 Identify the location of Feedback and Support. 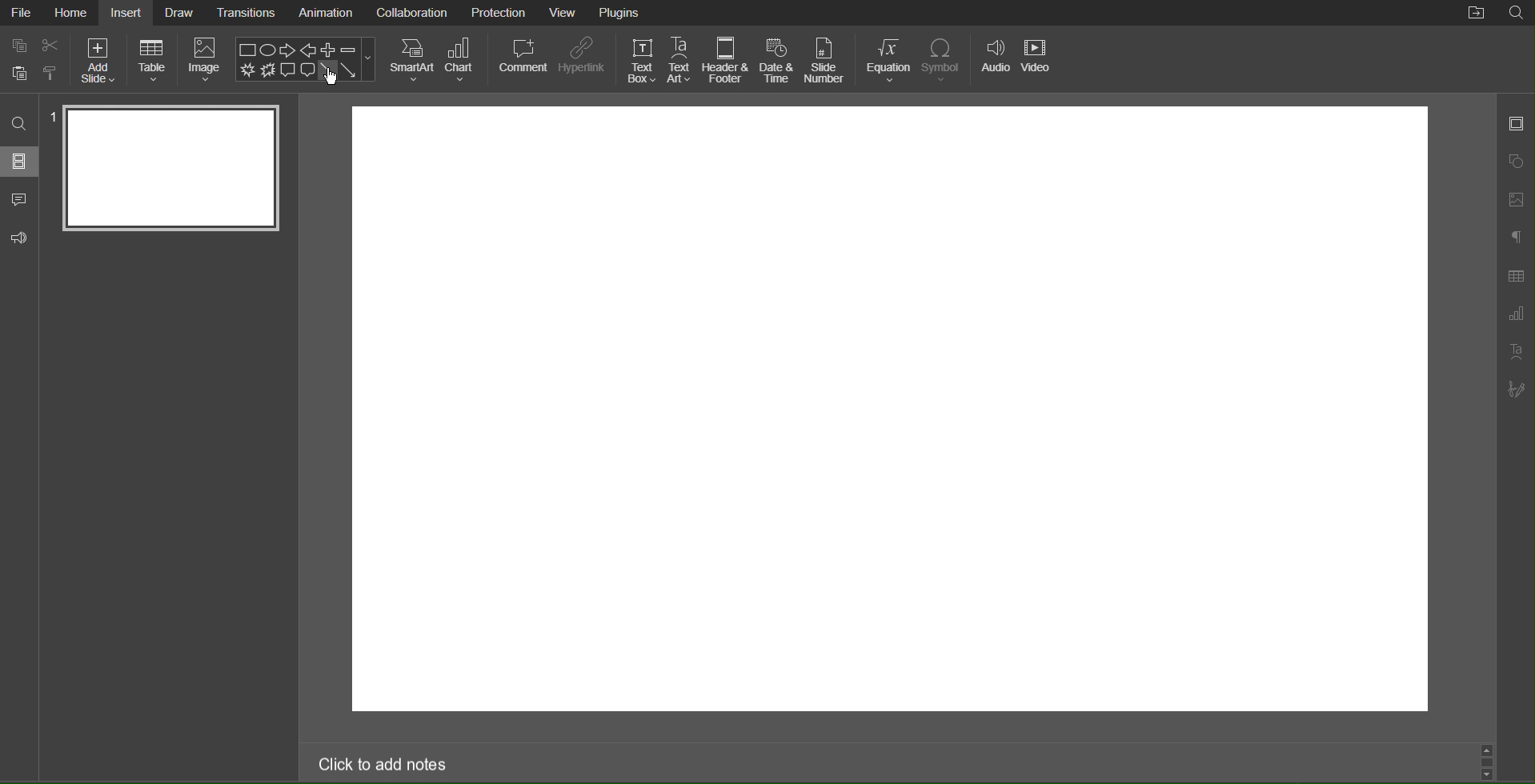
(19, 238).